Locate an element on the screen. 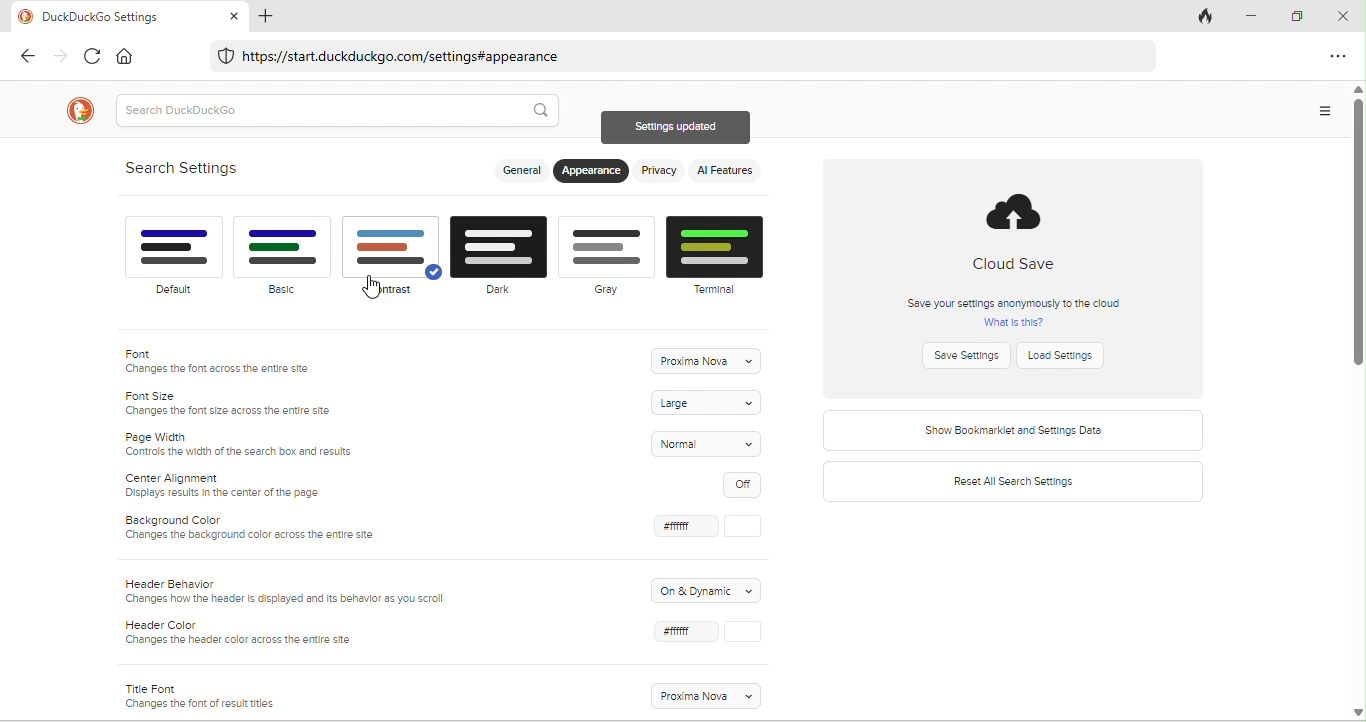  Adjusted the brightness of the browser  is located at coordinates (393, 258).